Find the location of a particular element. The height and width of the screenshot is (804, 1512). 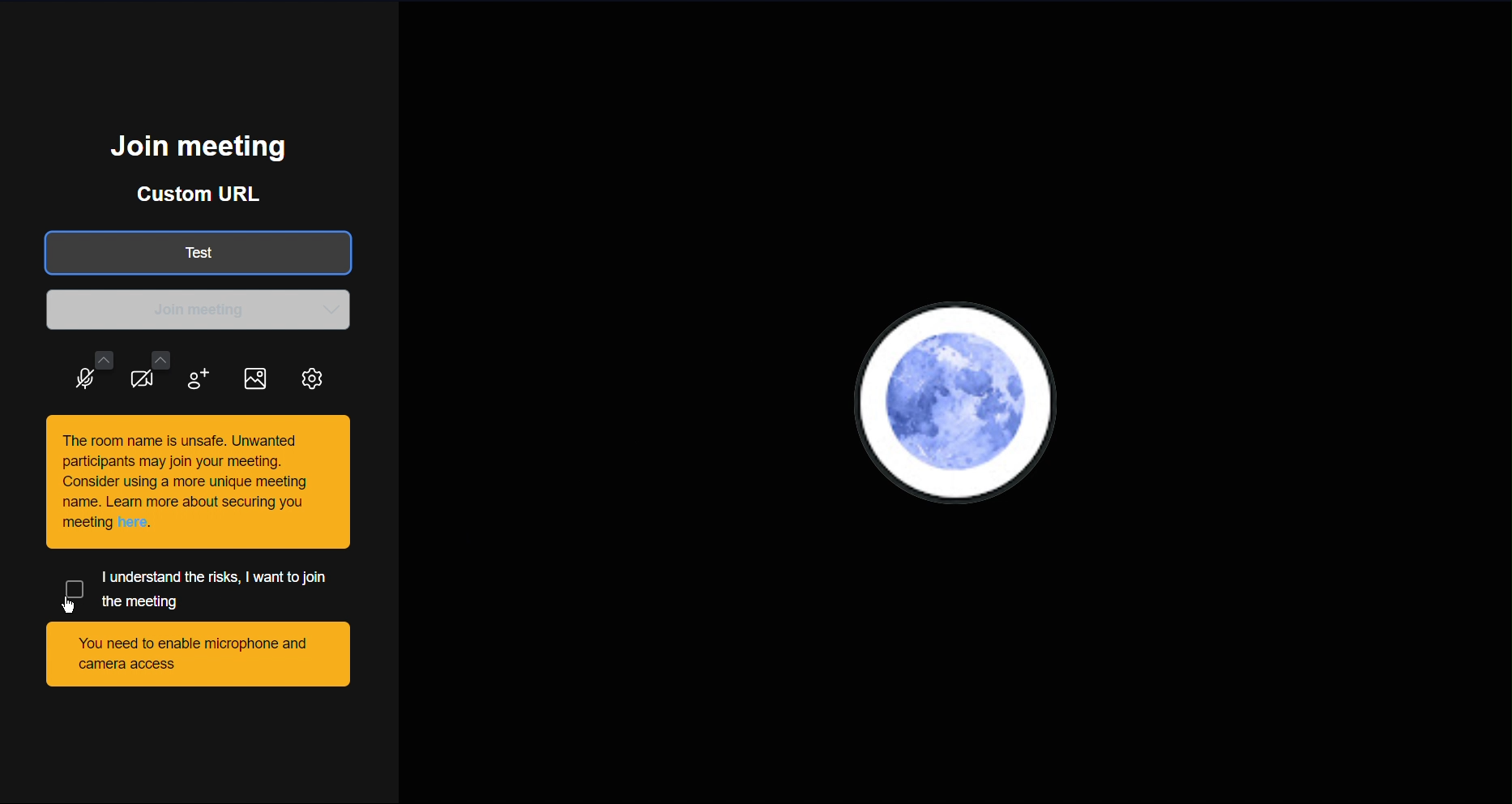

Cursor is located at coordinates (70, 609).